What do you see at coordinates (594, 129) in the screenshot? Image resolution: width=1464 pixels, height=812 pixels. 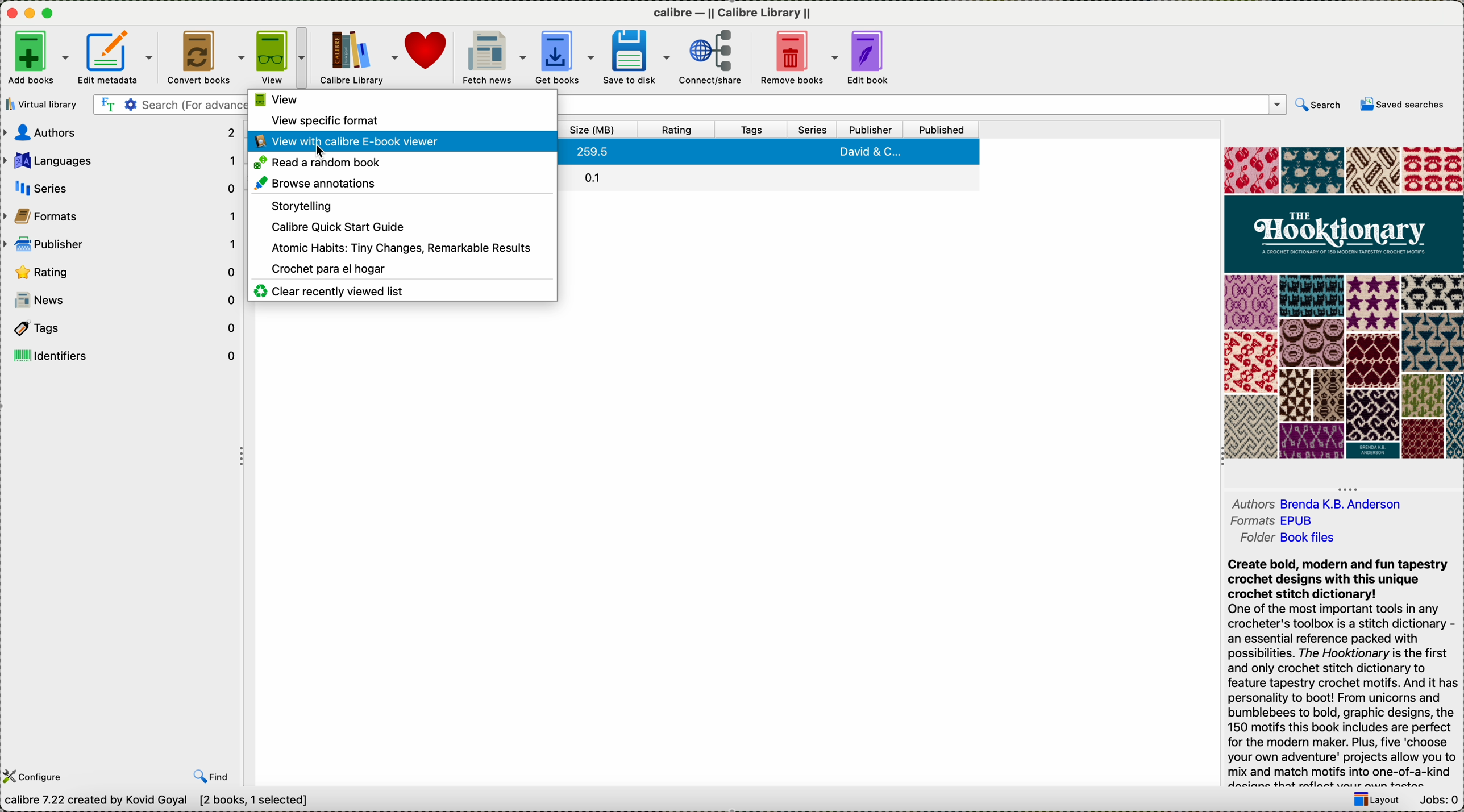 I see `size` at bounding box center [594, 129].